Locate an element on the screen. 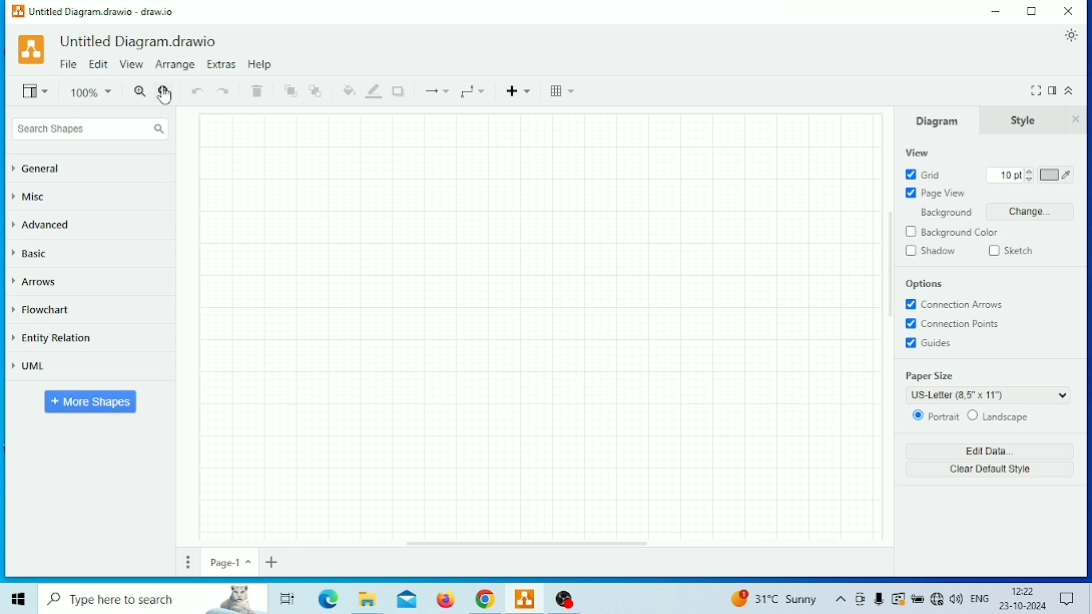  To Front is located at coordinates (291, 91).